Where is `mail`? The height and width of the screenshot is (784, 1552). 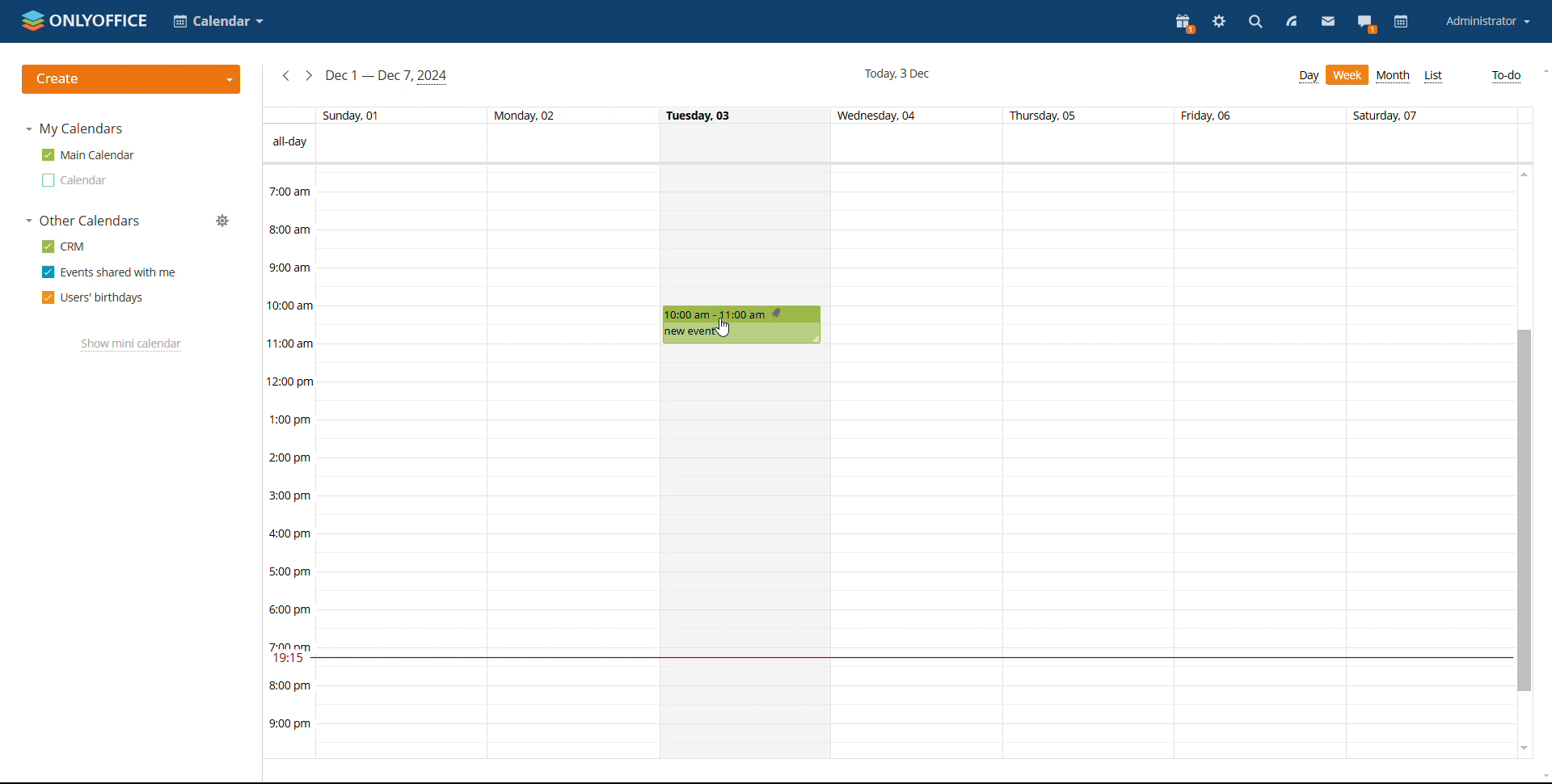
mail is located at coordinates (1327, 23).